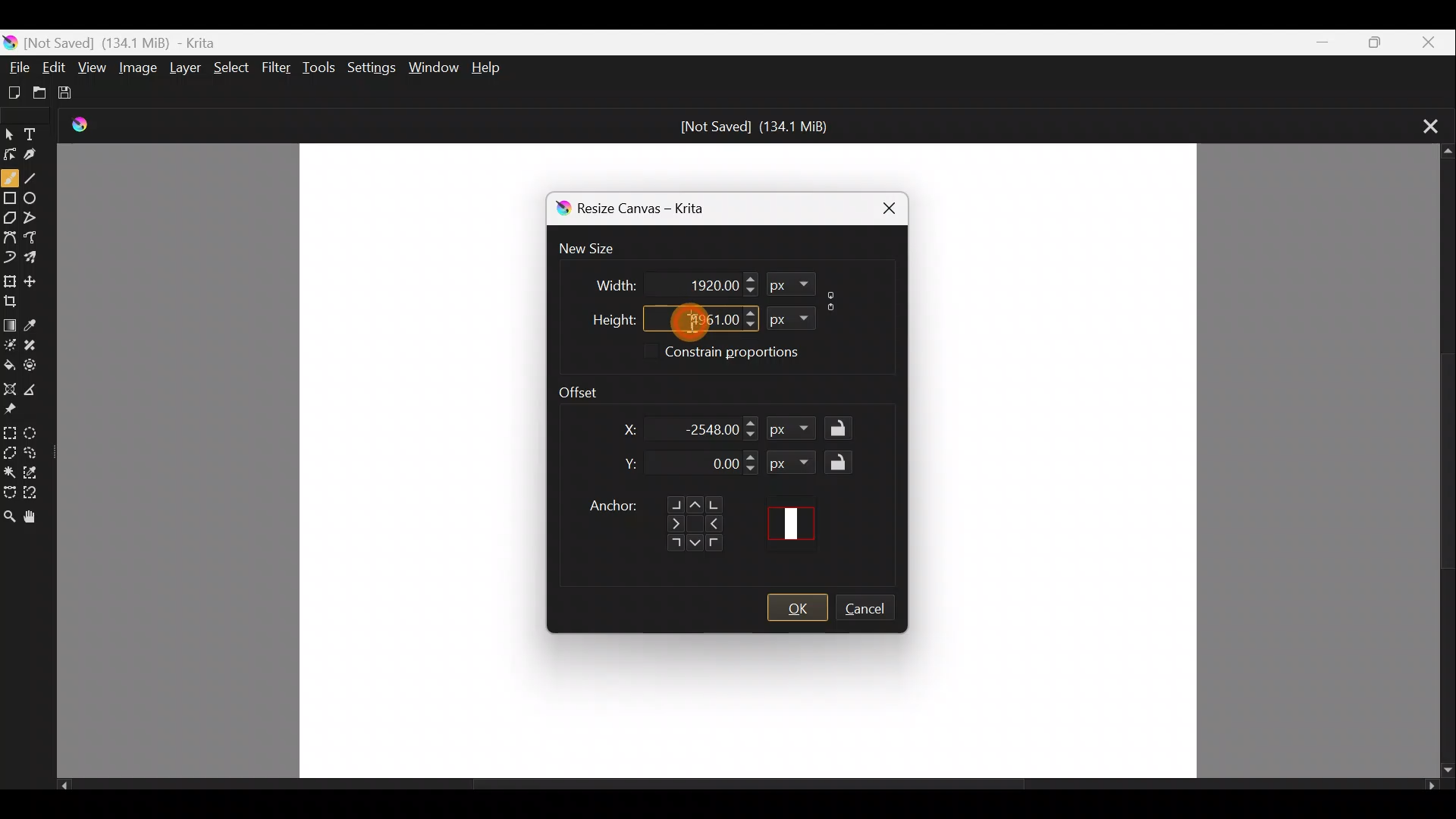  Describe the element at coordinates (654, 518) in the screenshot. I see `Anchor` at that location.